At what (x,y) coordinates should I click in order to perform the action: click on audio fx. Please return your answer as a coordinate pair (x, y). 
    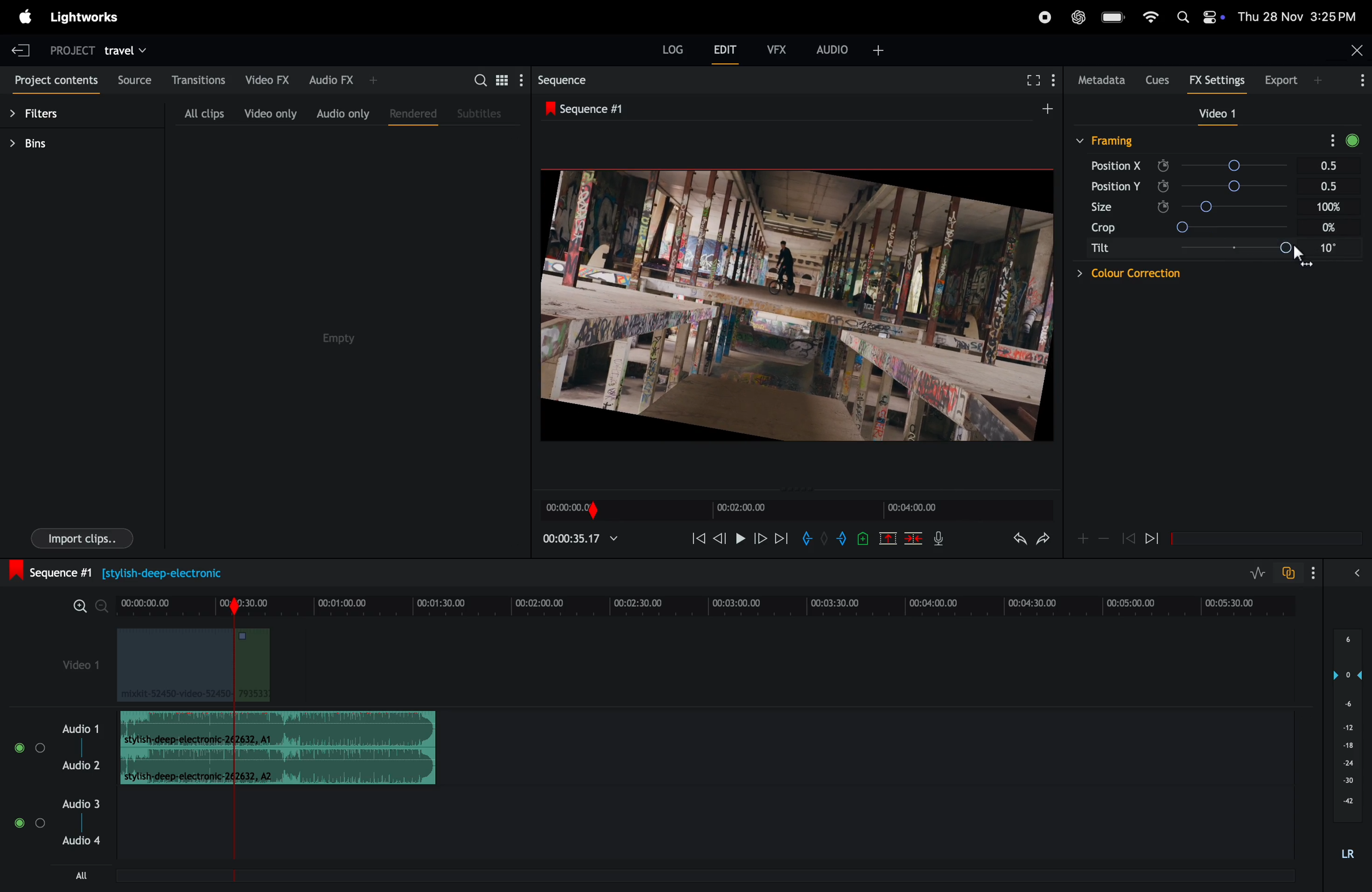
    Looking at the image, I should click on (345, 80).